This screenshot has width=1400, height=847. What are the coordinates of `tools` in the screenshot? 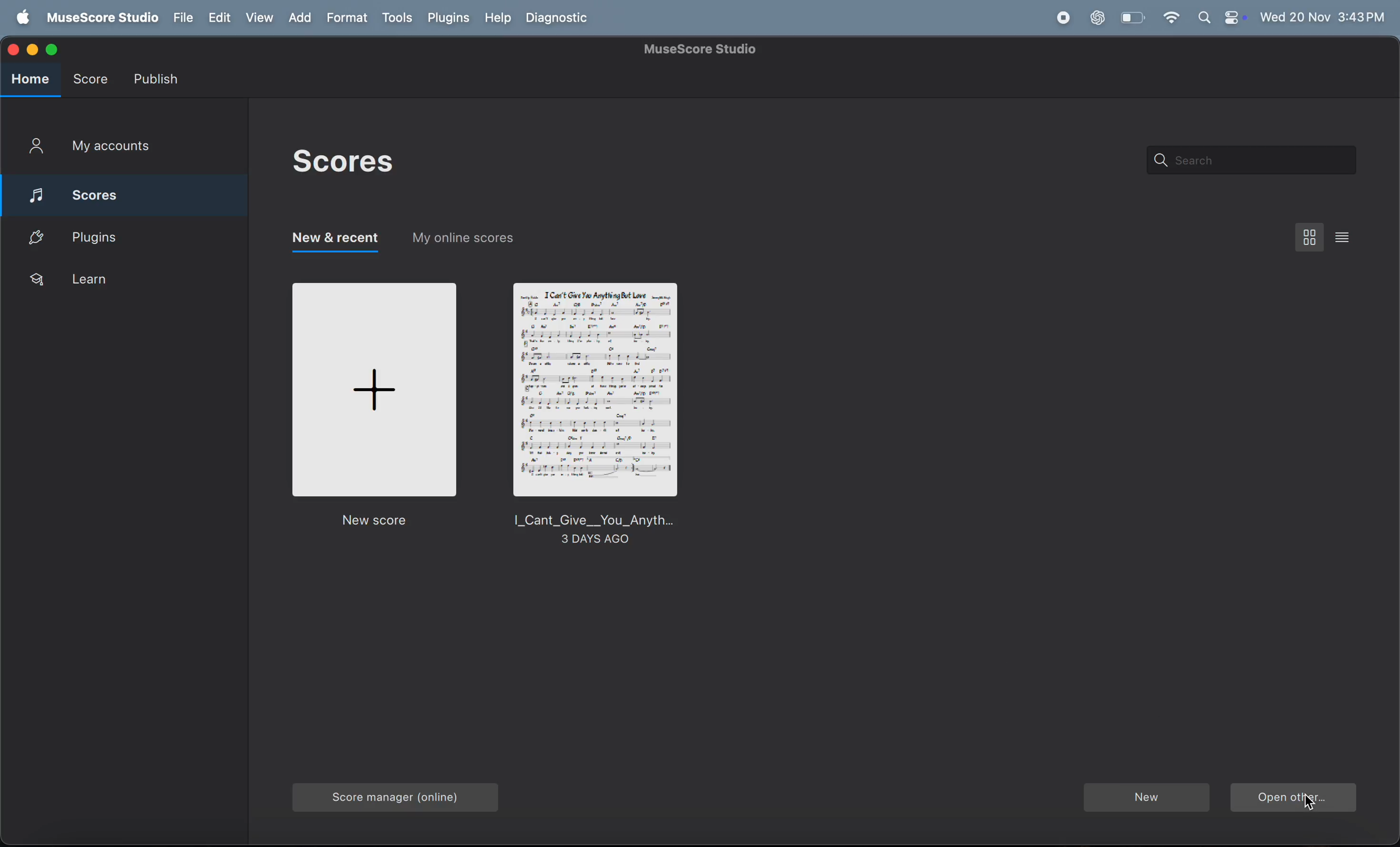 It's located at (398, 19).